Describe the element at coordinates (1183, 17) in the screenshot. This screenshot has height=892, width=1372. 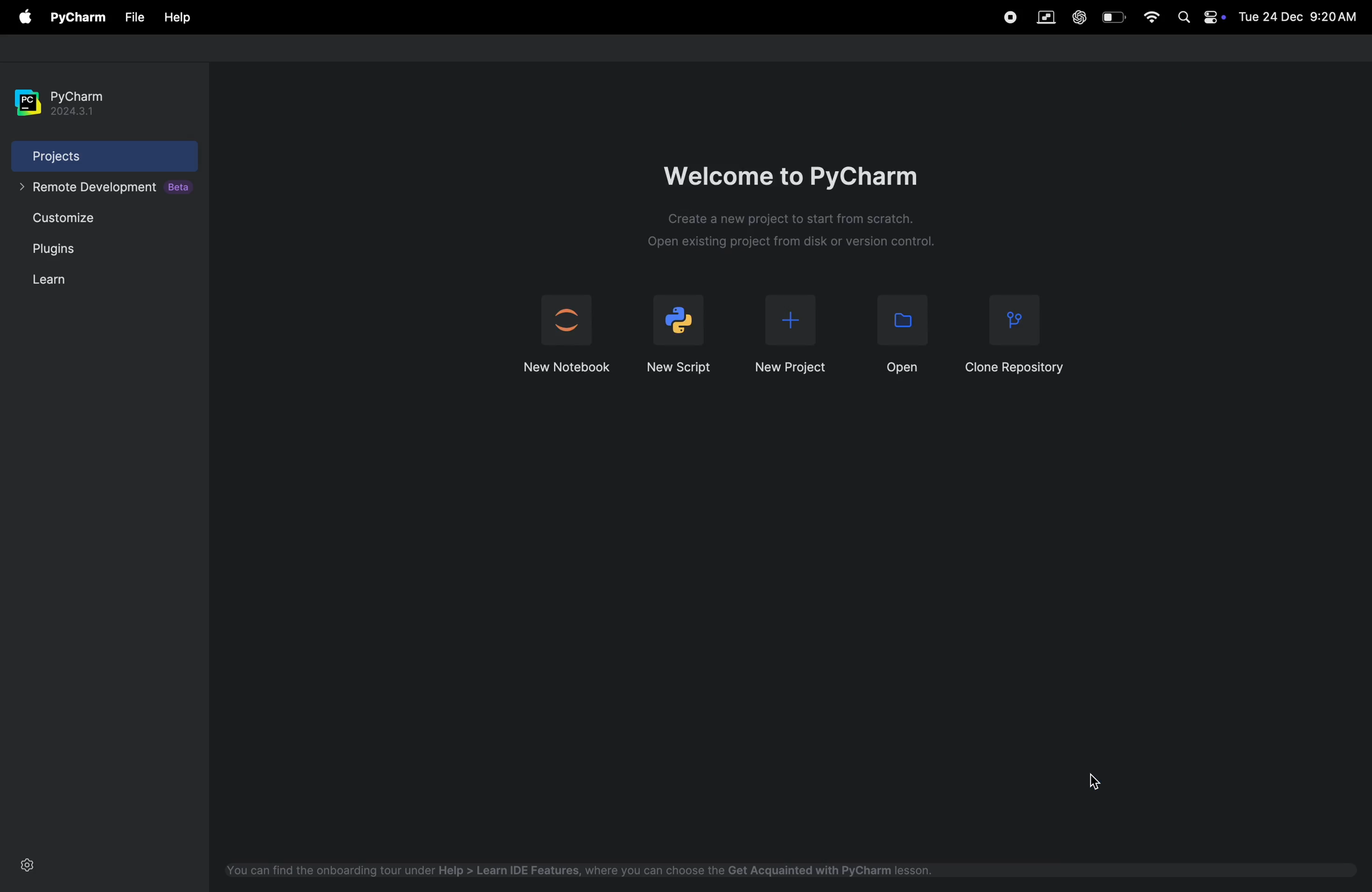
I see `spotlight search` at that location.